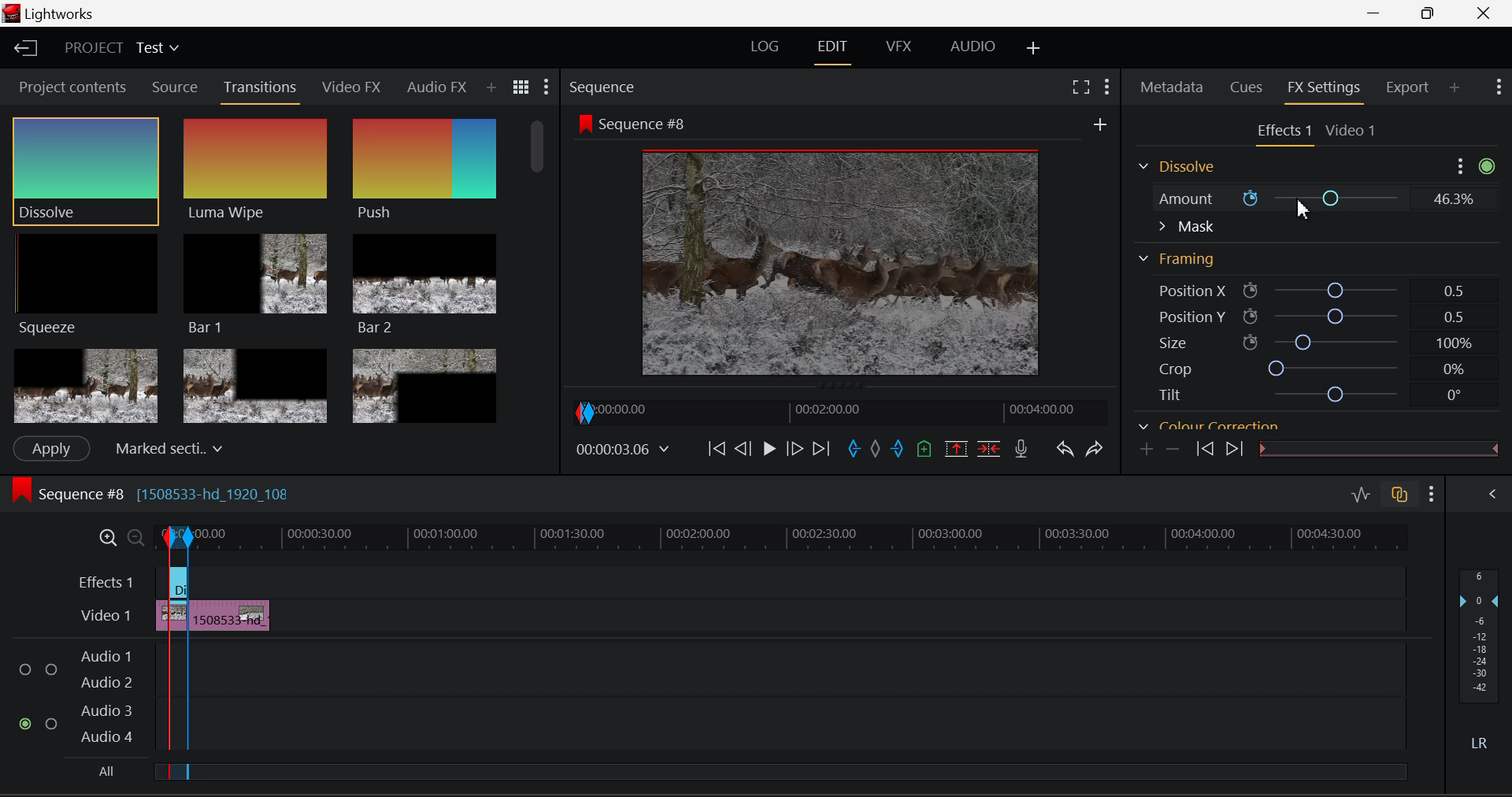 The image size is (1512, 797). What do you see at coordinates (717, 450) in the screenshot?
I see `To start` at bounding box center [717, 450].